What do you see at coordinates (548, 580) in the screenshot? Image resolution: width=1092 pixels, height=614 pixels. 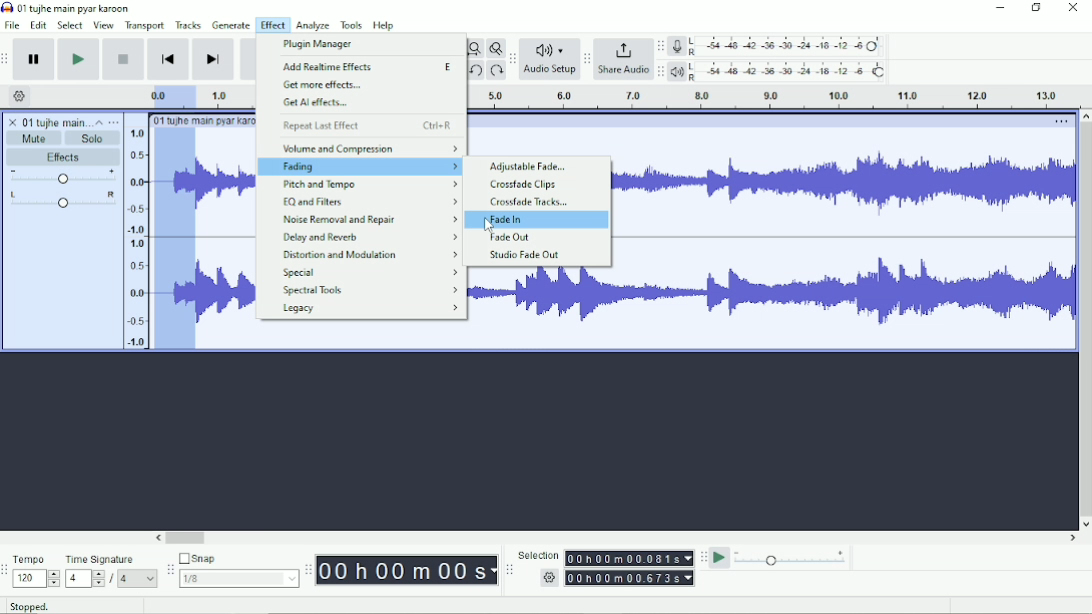 I see `Setting Logo` at bounding box center [548, 580].